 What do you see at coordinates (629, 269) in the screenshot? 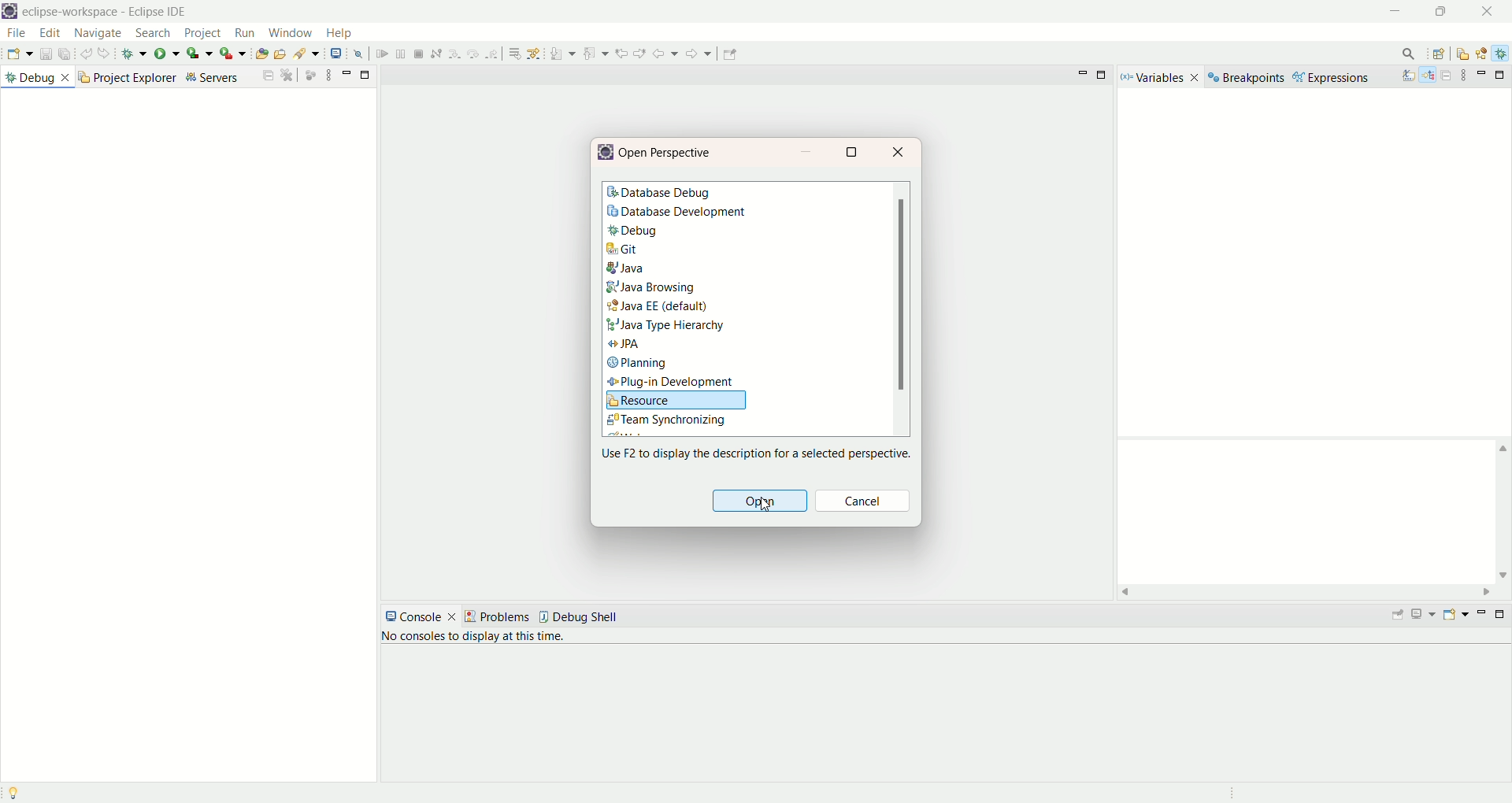
I see `java` at bounding box center [629, 269].